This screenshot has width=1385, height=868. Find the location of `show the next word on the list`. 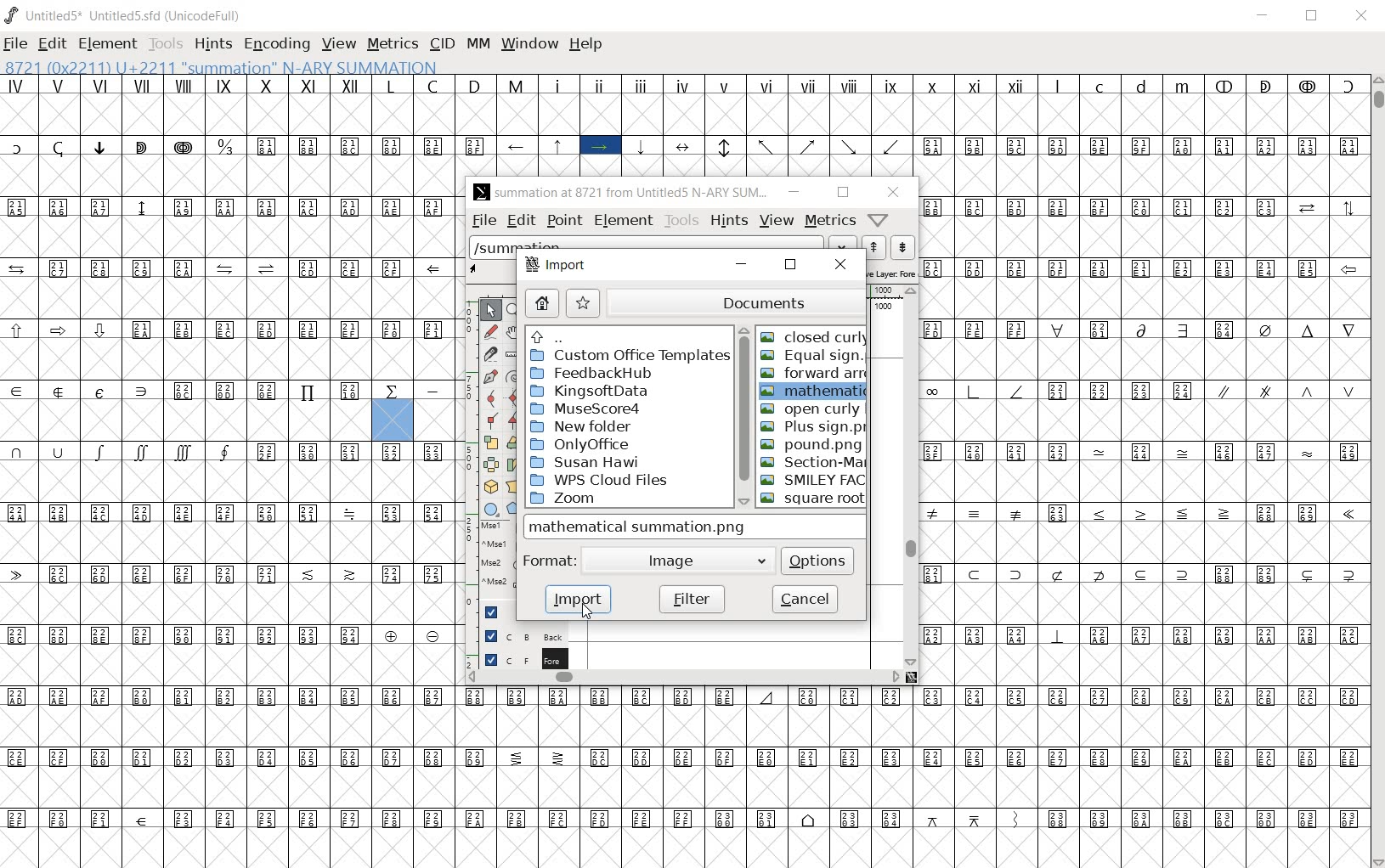

show the next word on the list is located at coordinates (875, 247).